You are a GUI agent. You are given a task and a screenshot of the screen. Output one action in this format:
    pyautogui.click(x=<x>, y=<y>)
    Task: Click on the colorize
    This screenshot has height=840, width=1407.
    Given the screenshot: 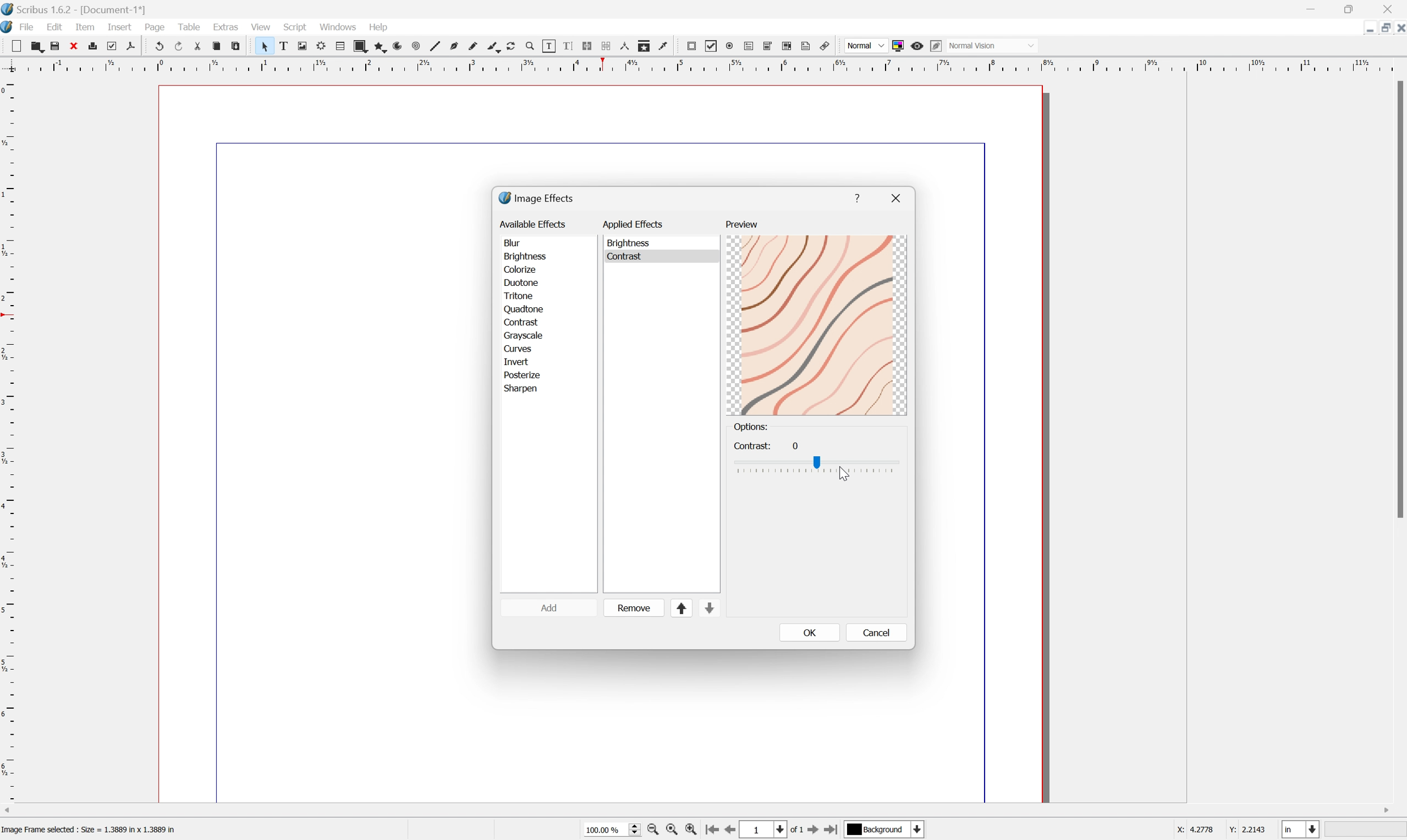 What is the action you would take?
    pyautogui.click(x=521, y=269)
    